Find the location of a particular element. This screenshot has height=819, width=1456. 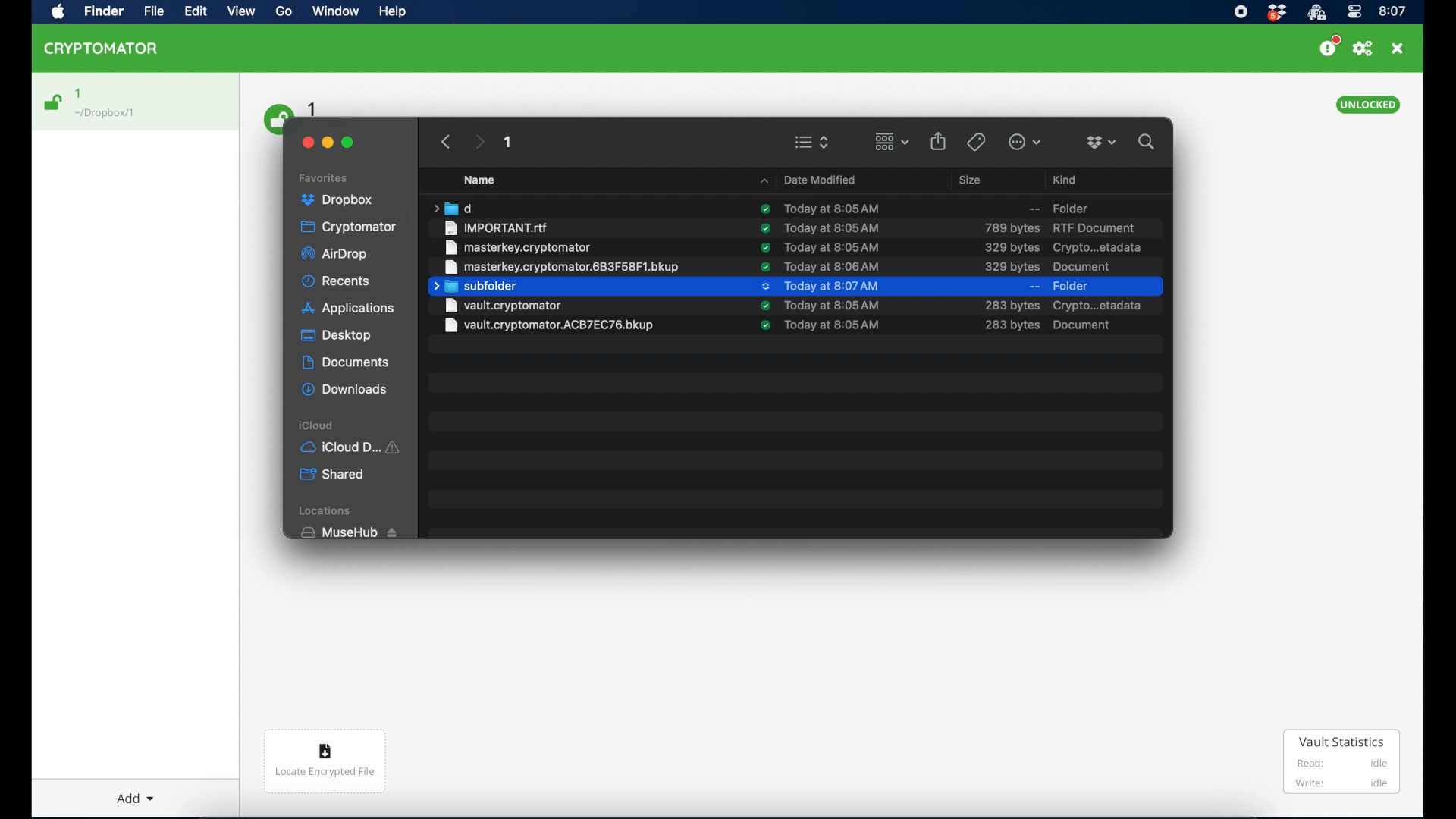

1 Dropbox/1 is located at coordinates (115, 104).